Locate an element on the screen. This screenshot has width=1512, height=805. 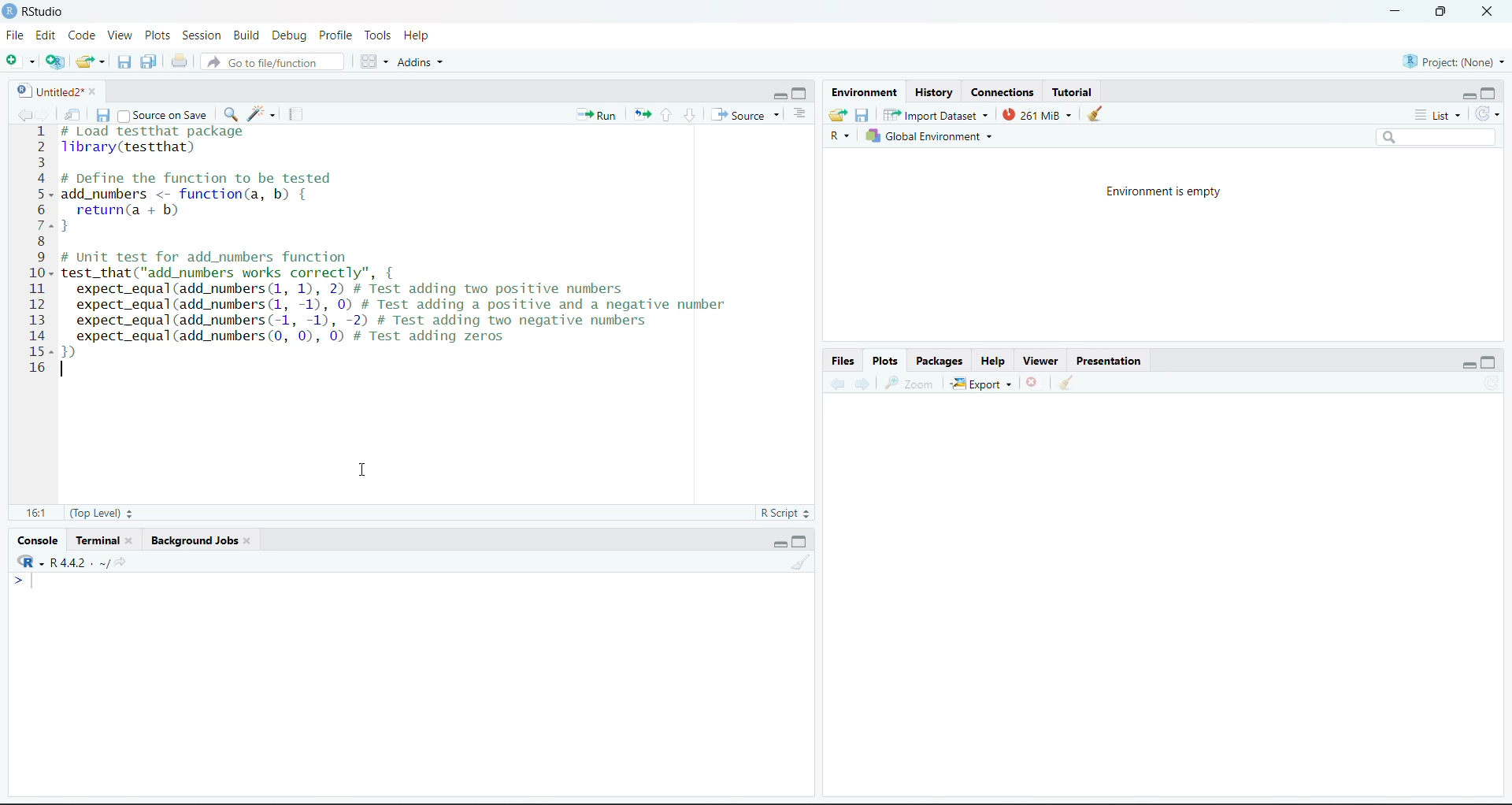
Help is located at coordinates (416, 35).